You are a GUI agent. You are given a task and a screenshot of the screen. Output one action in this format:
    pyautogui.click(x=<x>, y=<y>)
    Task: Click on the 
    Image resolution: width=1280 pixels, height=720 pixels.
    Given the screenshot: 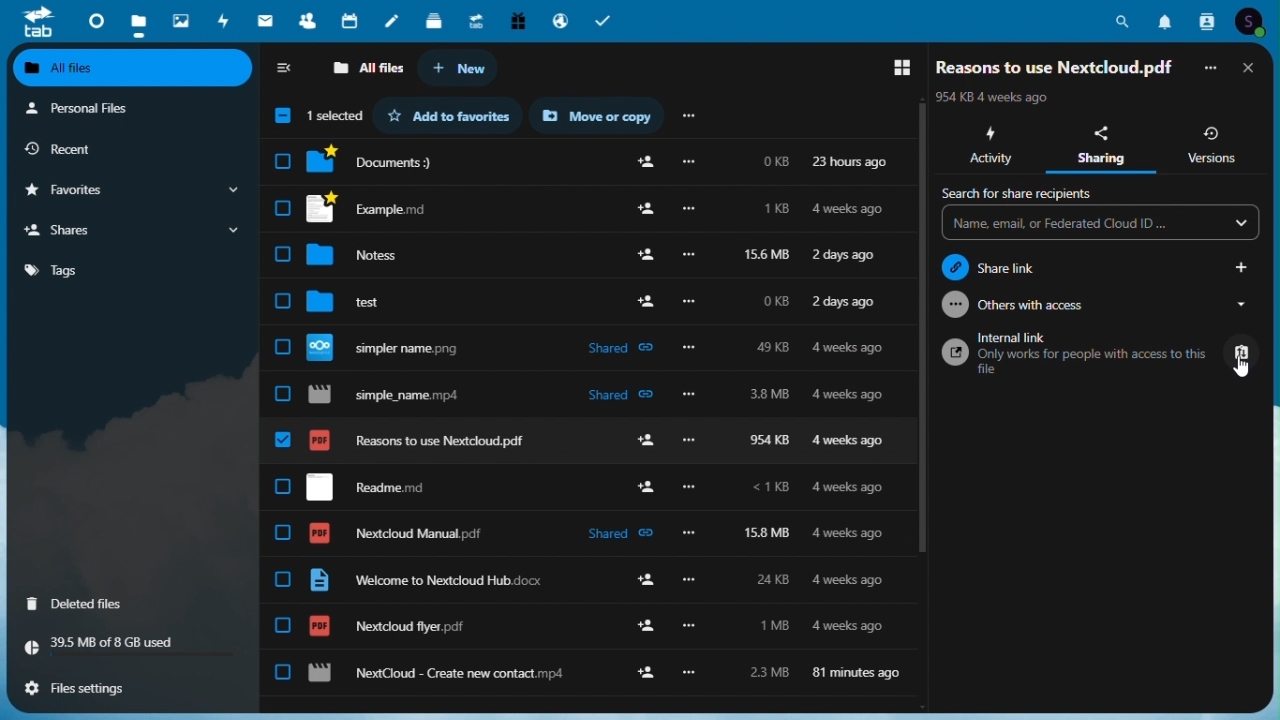 What is the action you would take?
    pyautogui.click(x=639, y=303)
    